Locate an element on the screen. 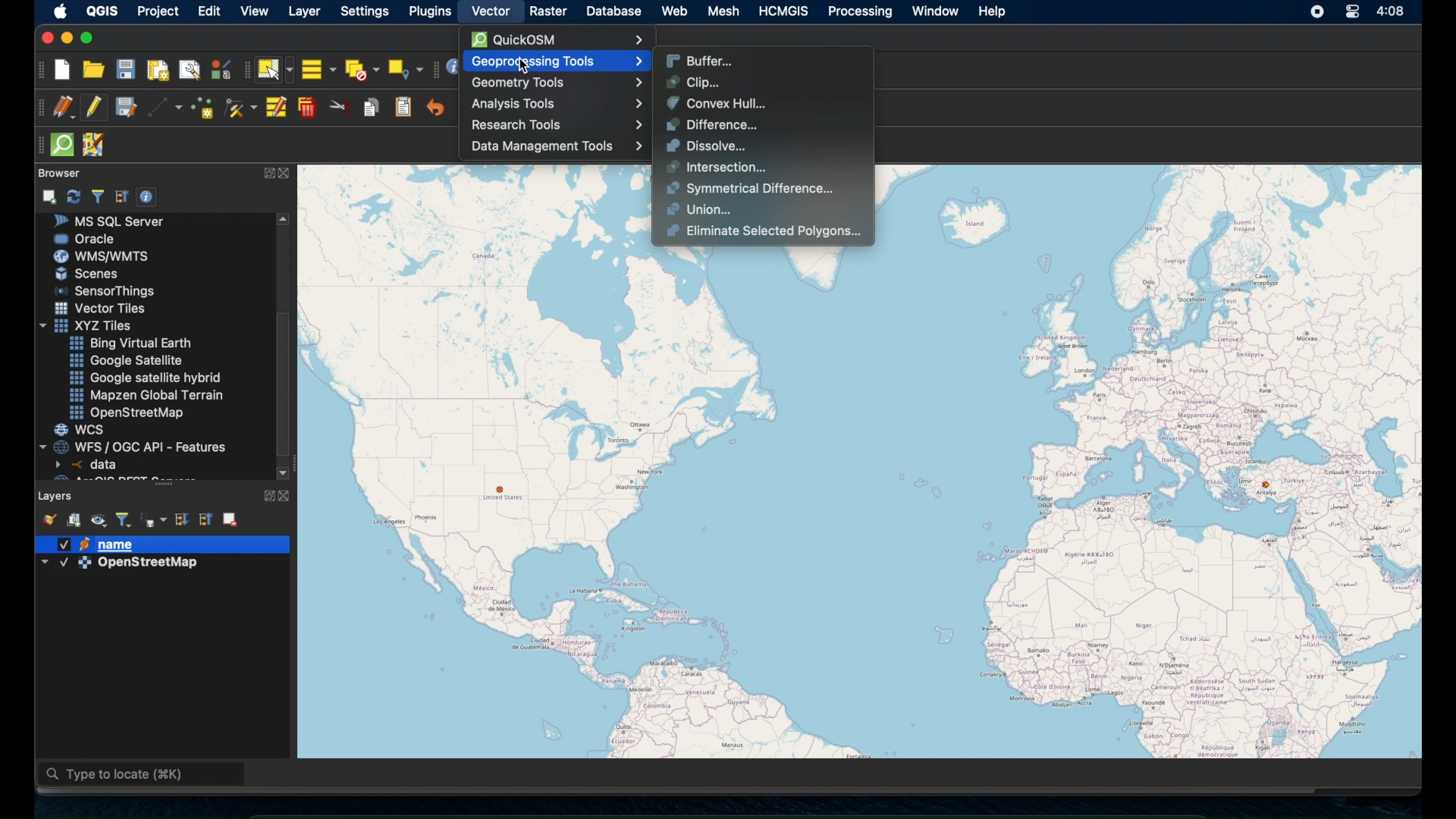 Image resolution: width=1456 pixels, height=819 pixels. vector tiles is located at coordinates (101, 308).